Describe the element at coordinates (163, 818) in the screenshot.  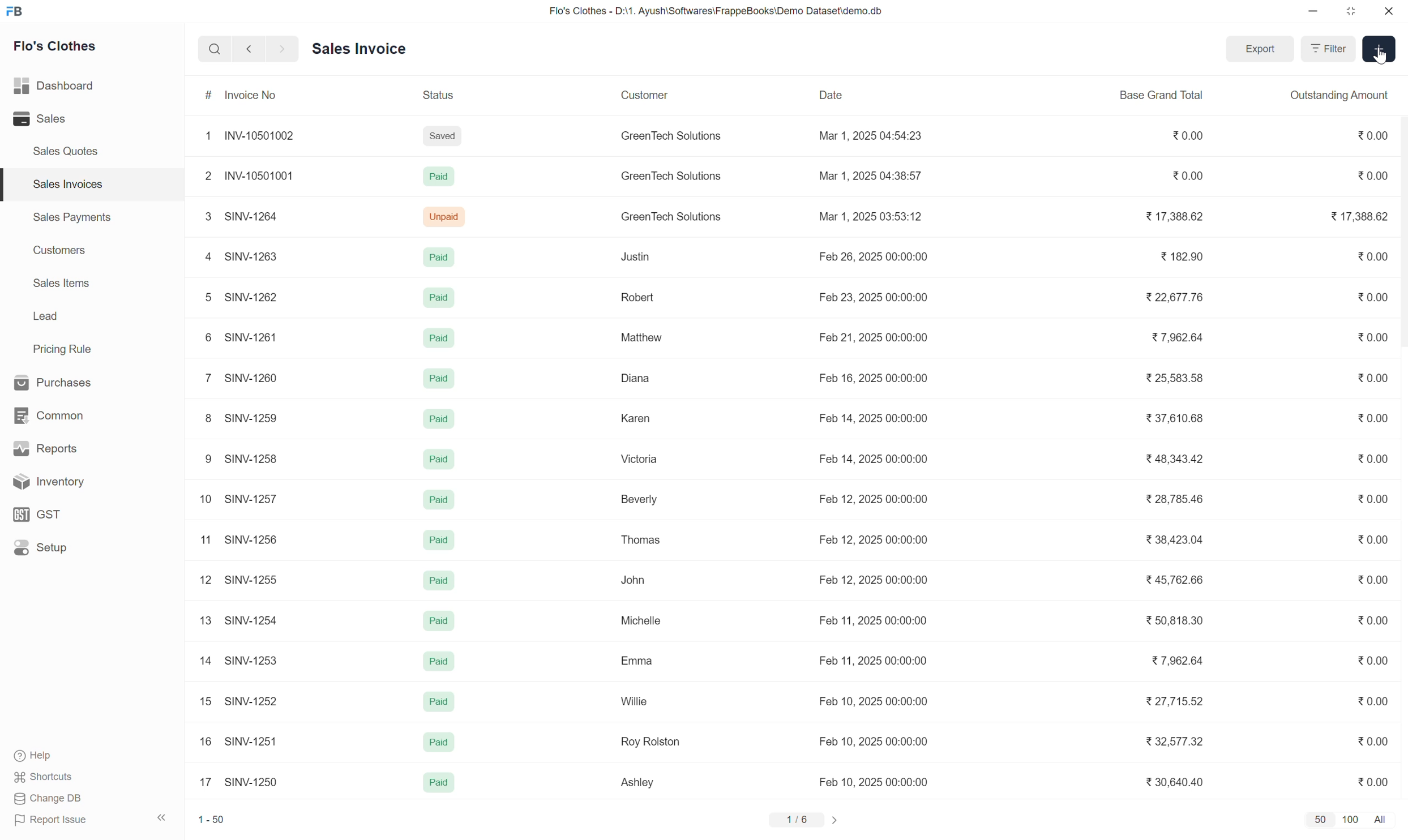
I see `hide sidebar` at that location.